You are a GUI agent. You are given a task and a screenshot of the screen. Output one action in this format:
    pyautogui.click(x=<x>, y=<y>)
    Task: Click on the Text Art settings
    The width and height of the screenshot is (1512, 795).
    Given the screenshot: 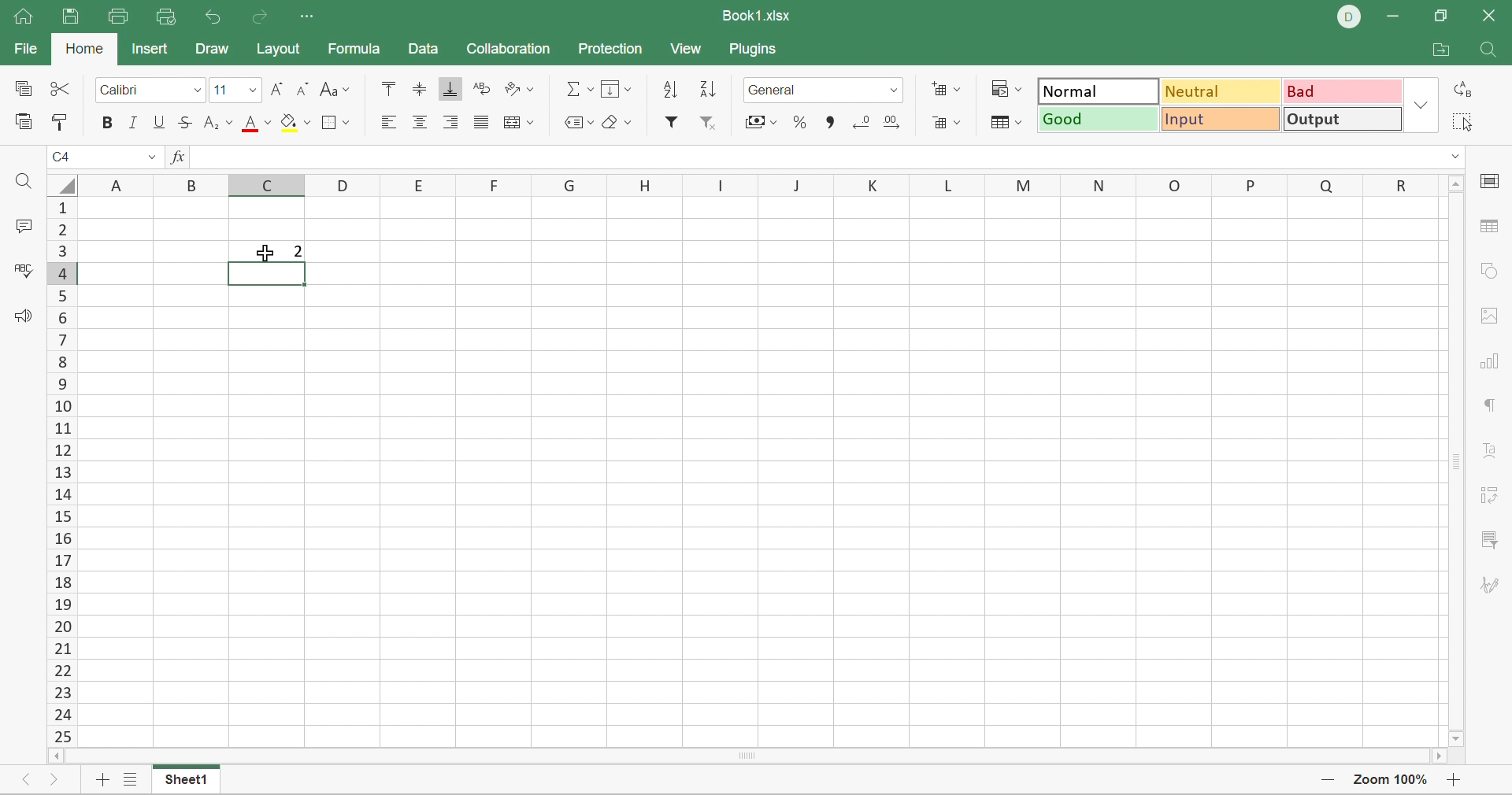 What is the action you would take?
    pyautogui.click(x=1492, y=450)
    